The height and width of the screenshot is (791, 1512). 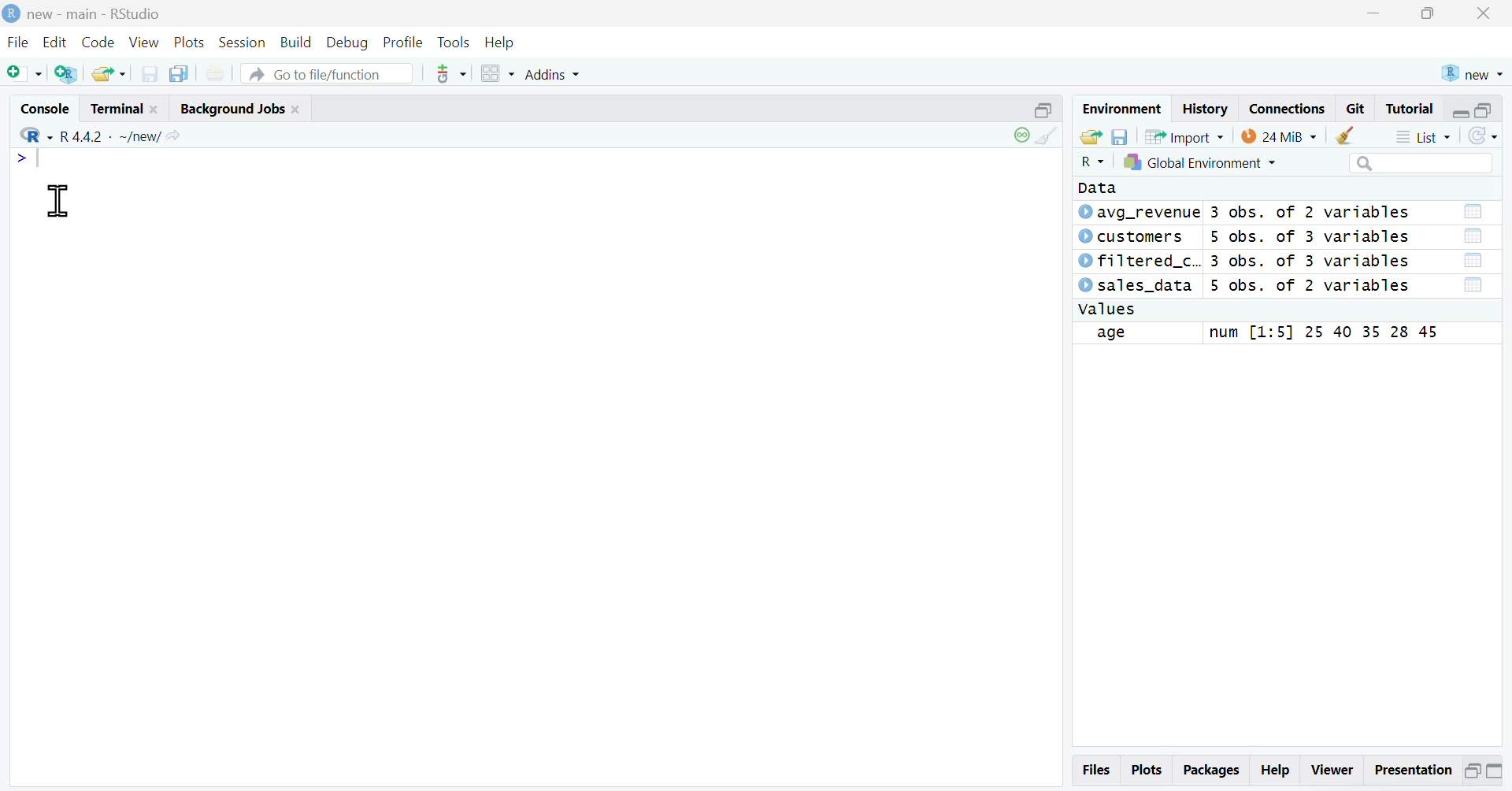 I want to click on Maximize pane, so click(x=1495, y=773).